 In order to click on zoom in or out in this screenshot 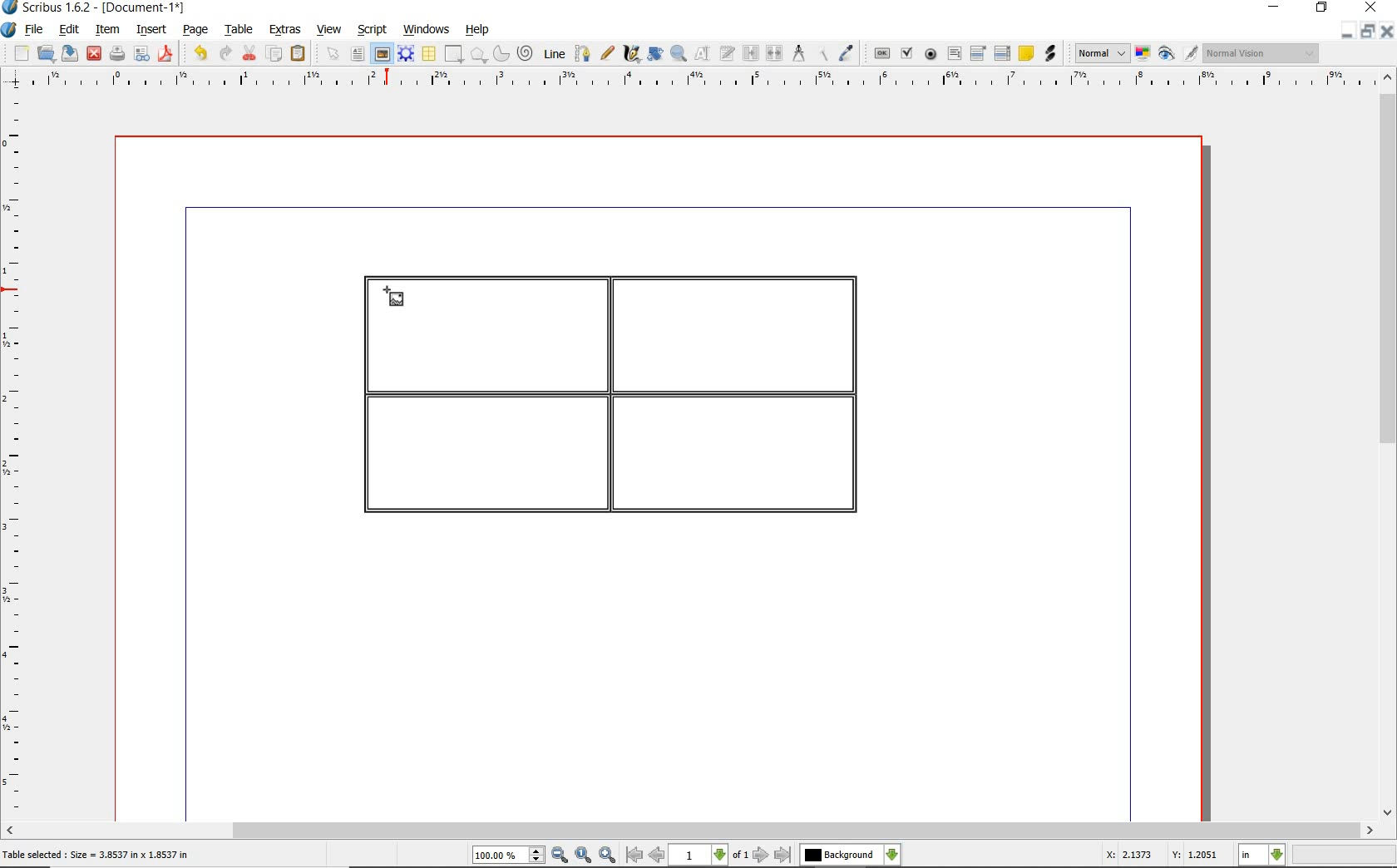, I will do `click(678, 54)`.